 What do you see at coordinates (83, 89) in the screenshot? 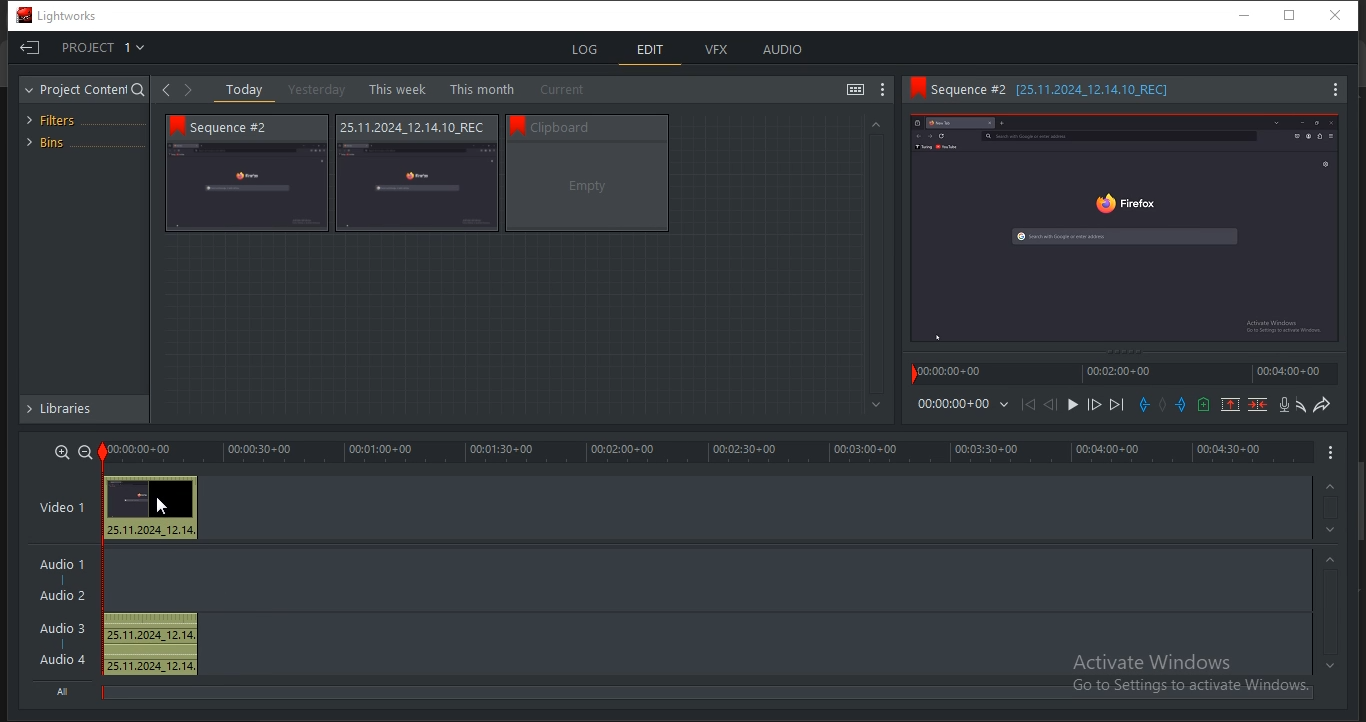
I see `project content` at bounding box center [83, 89].